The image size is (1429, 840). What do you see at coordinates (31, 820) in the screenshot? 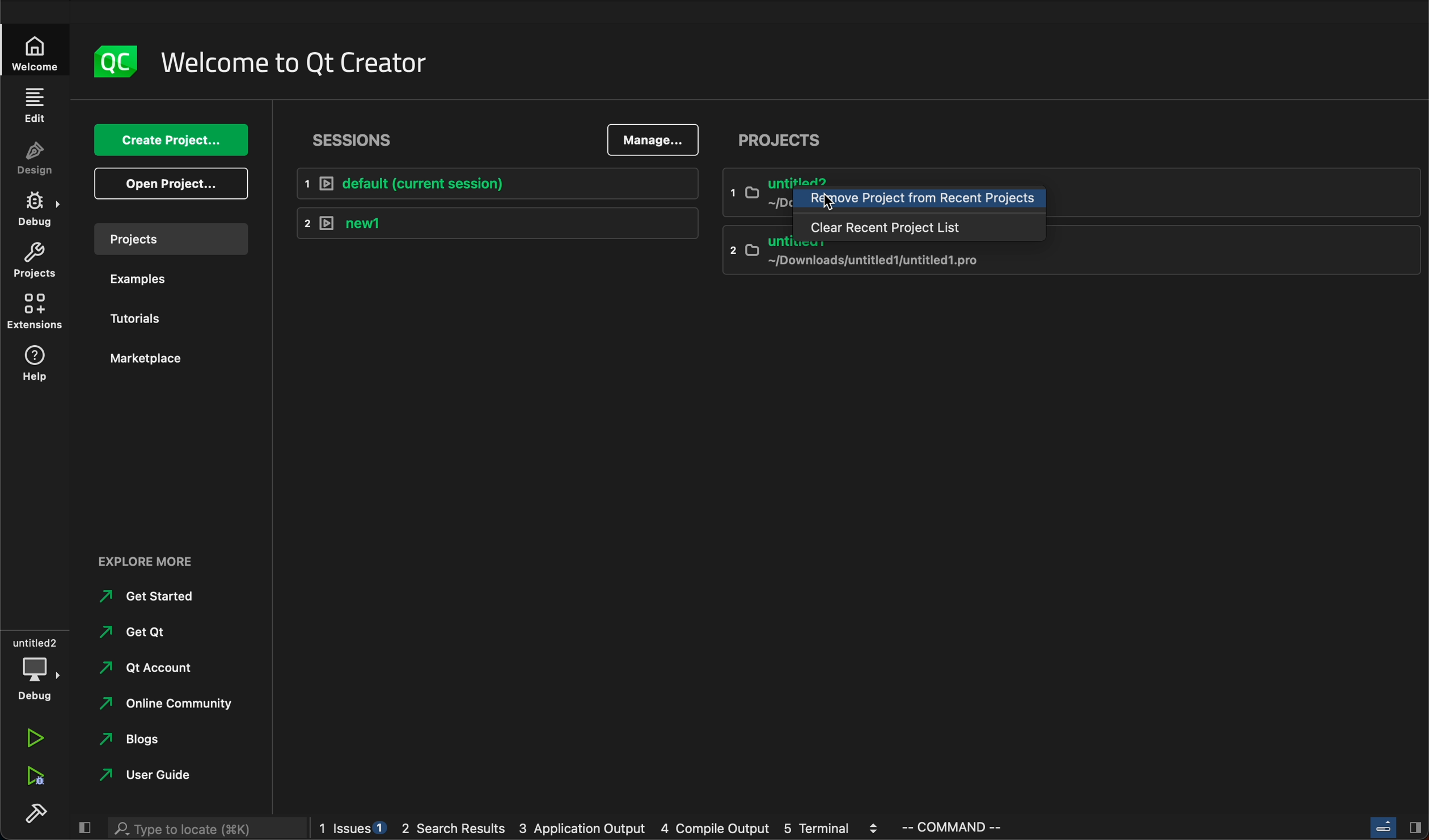
I see `build` at bounding box center [31, 820].